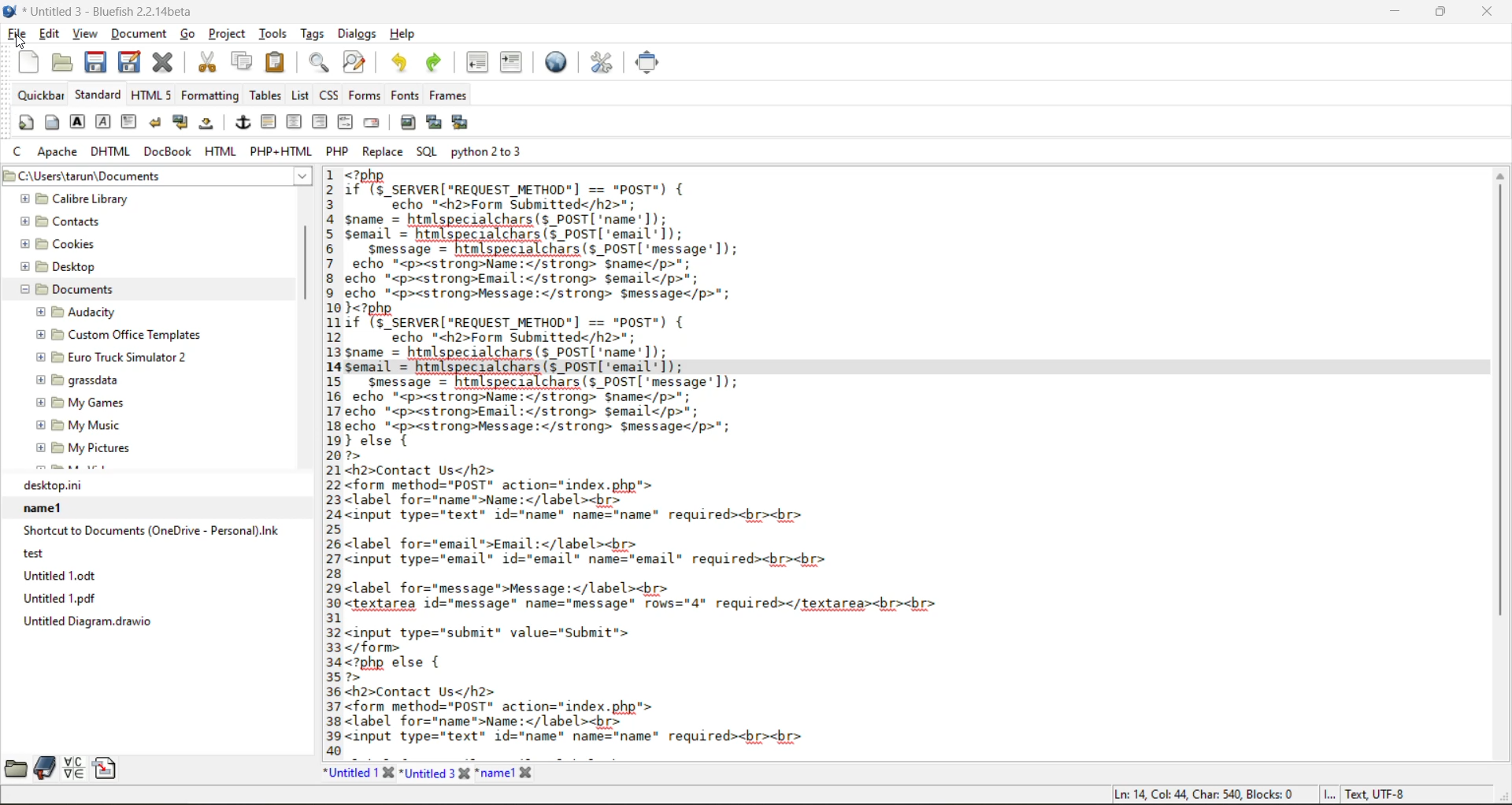  I want to click on paste, so click(274, 61).